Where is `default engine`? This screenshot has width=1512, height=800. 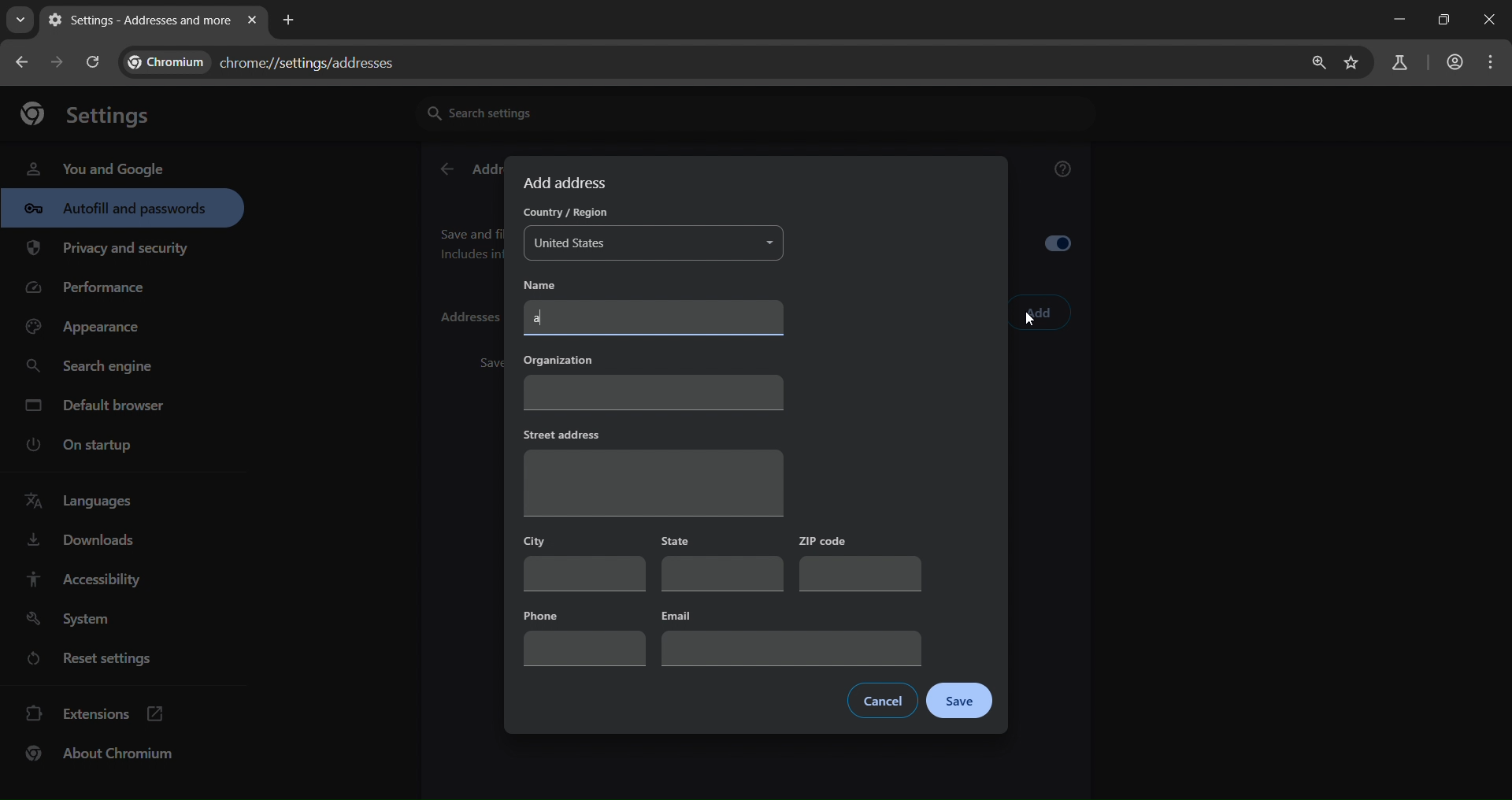
default engine is located at coordinates (98, 408).